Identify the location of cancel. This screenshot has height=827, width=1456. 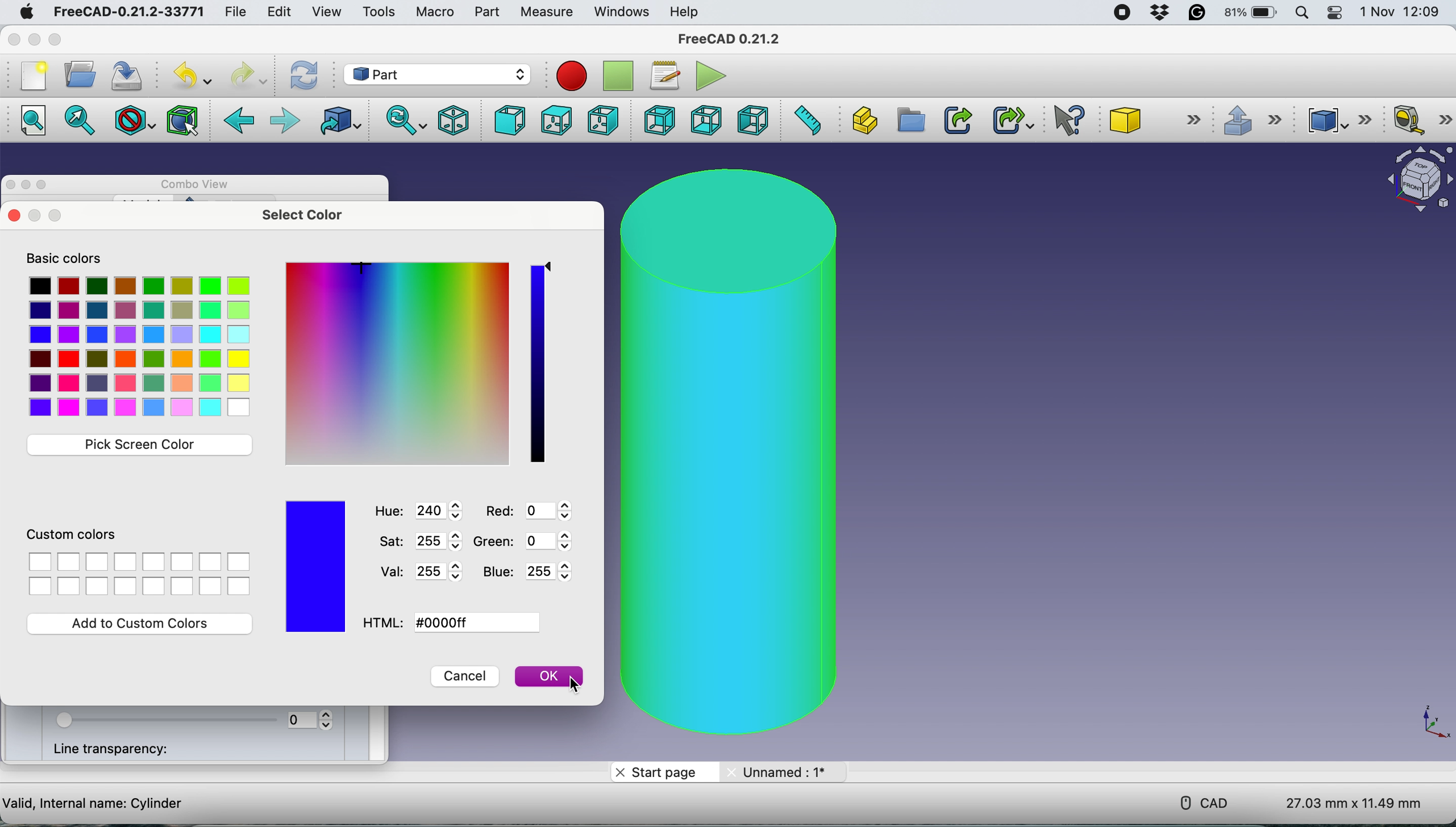
(465, 676).